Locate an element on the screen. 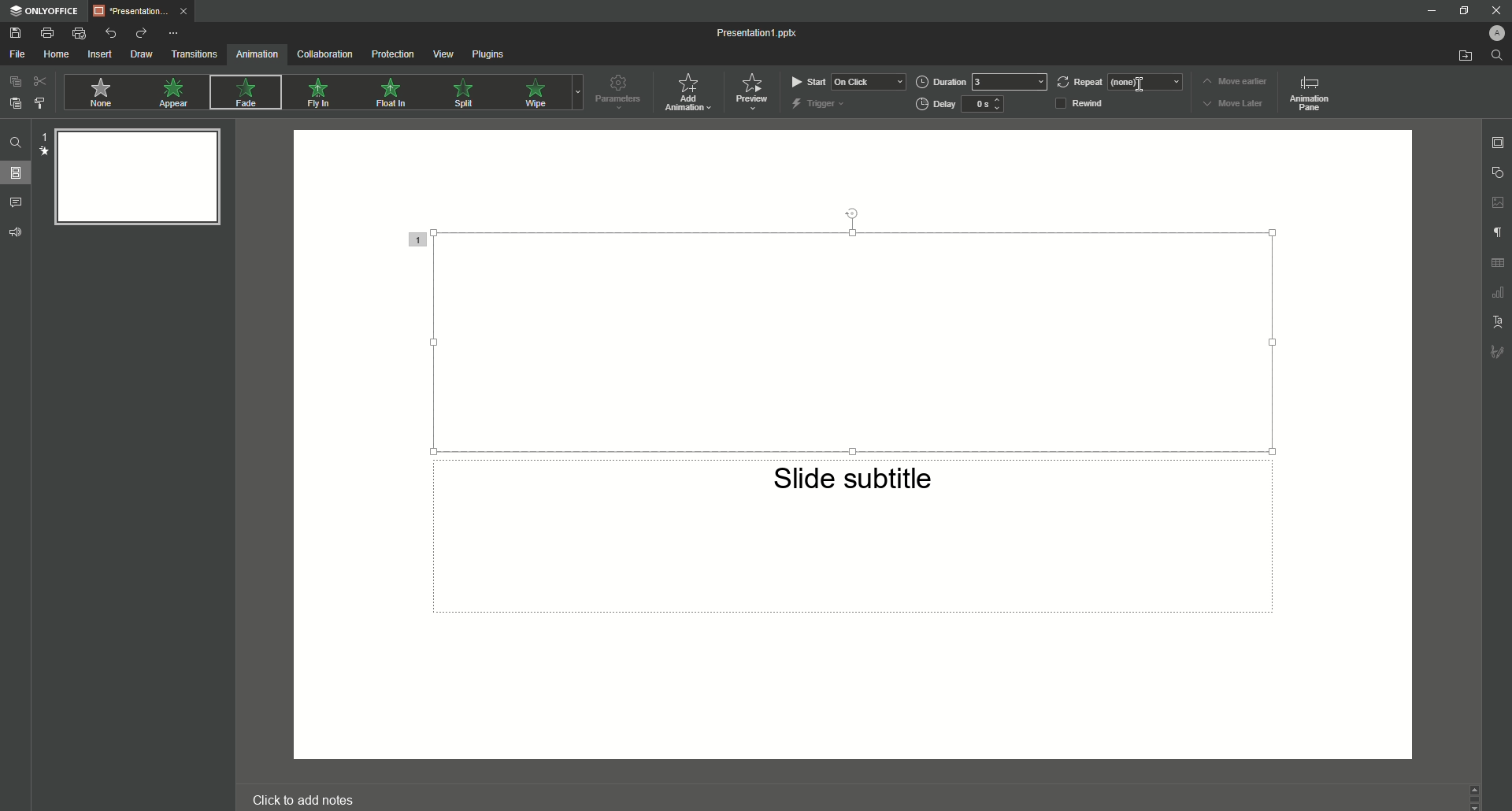 The height and width of the screenshot is (811, 1512). More Options is located at coordinates (174, 34).